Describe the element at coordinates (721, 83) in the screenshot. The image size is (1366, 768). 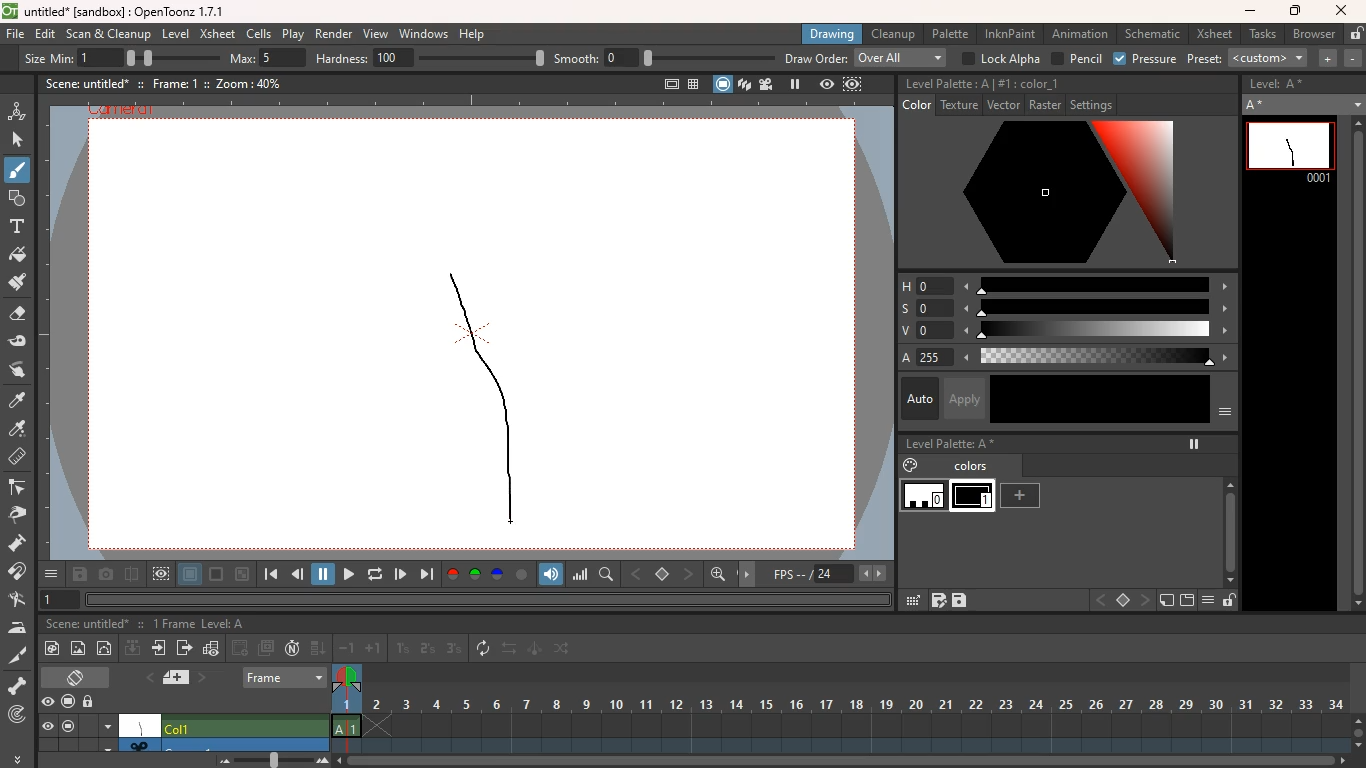
I see `screen` at that location.